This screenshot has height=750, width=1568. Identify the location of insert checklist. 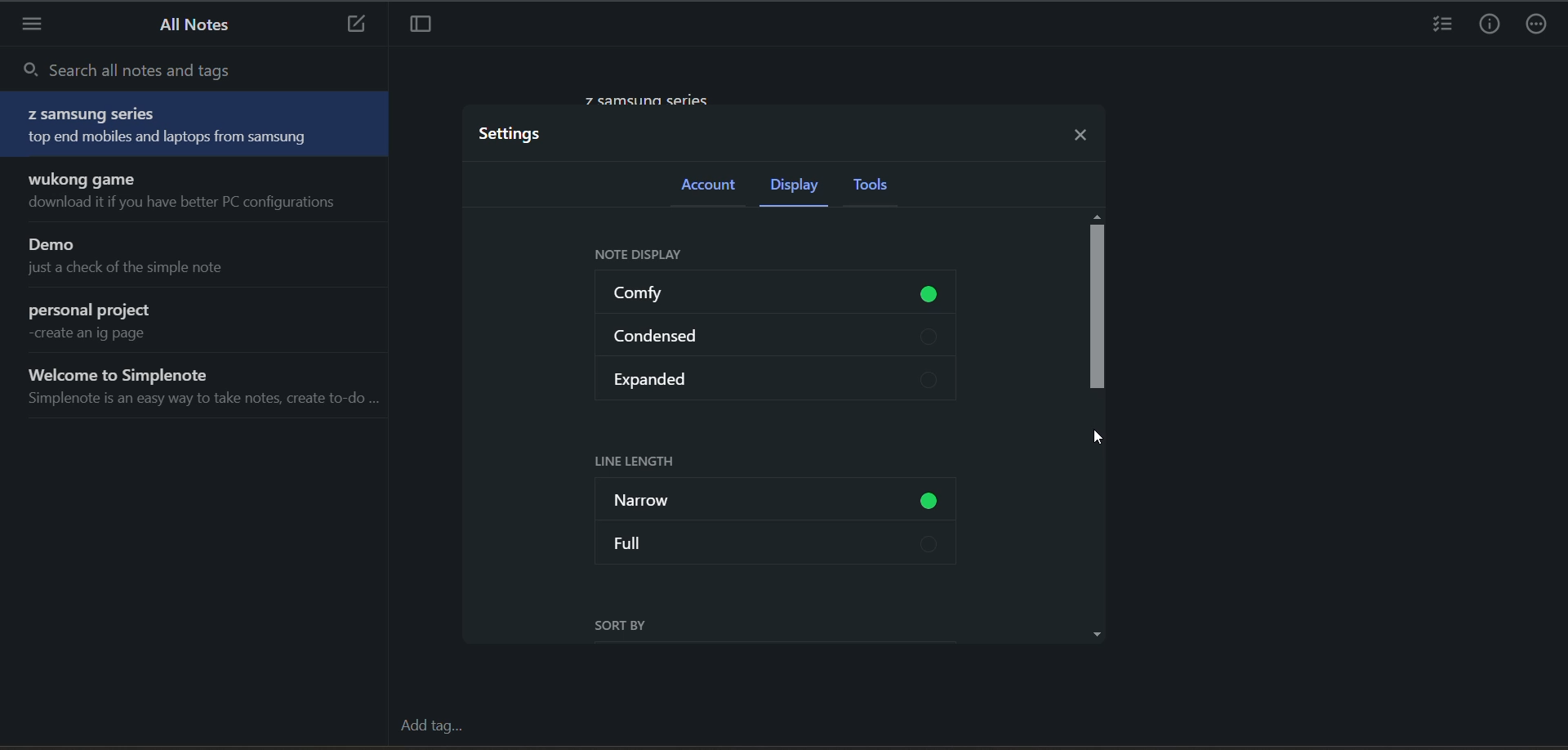
(1440, 25).